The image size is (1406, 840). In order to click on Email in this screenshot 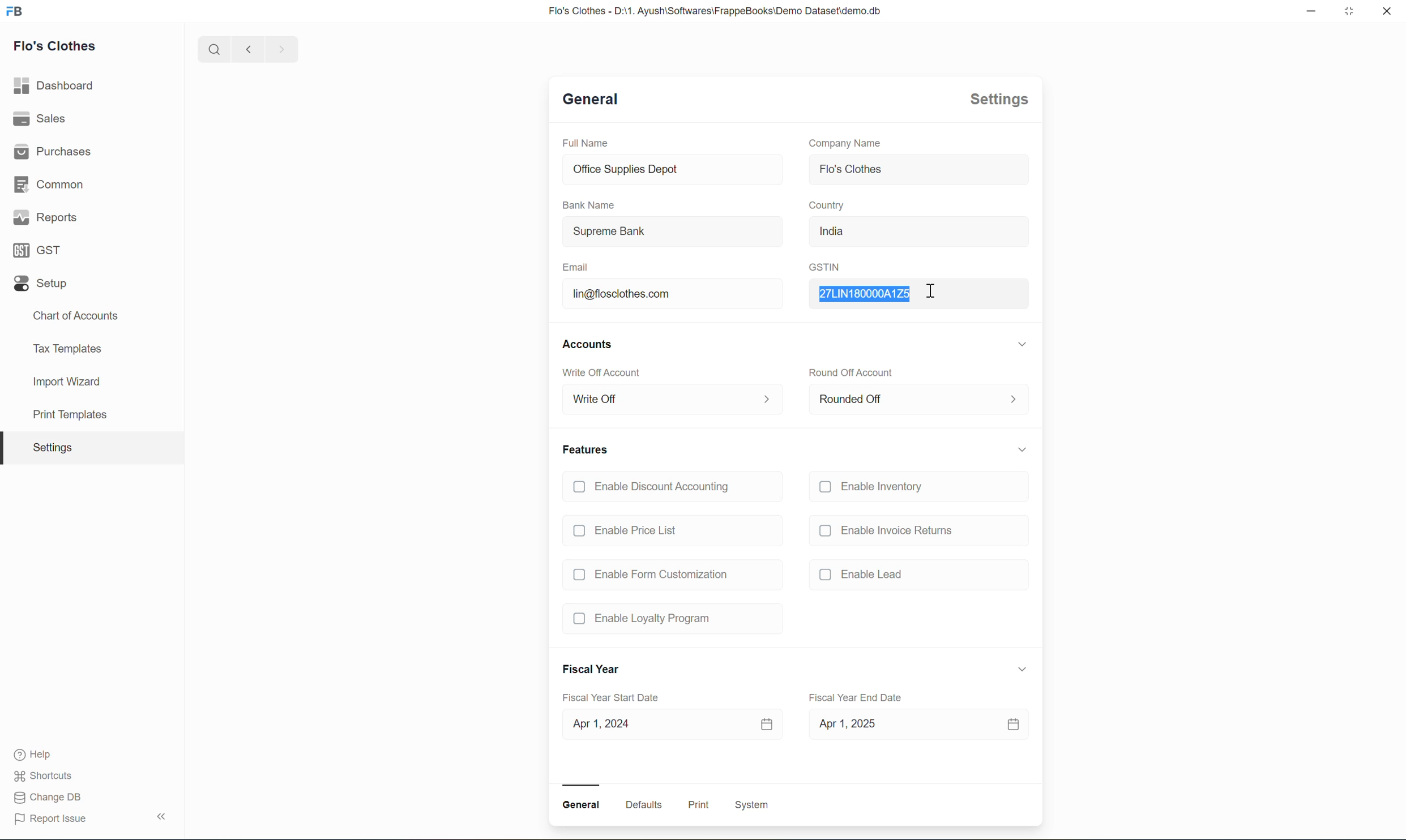, I will do `click(576, 267)`.